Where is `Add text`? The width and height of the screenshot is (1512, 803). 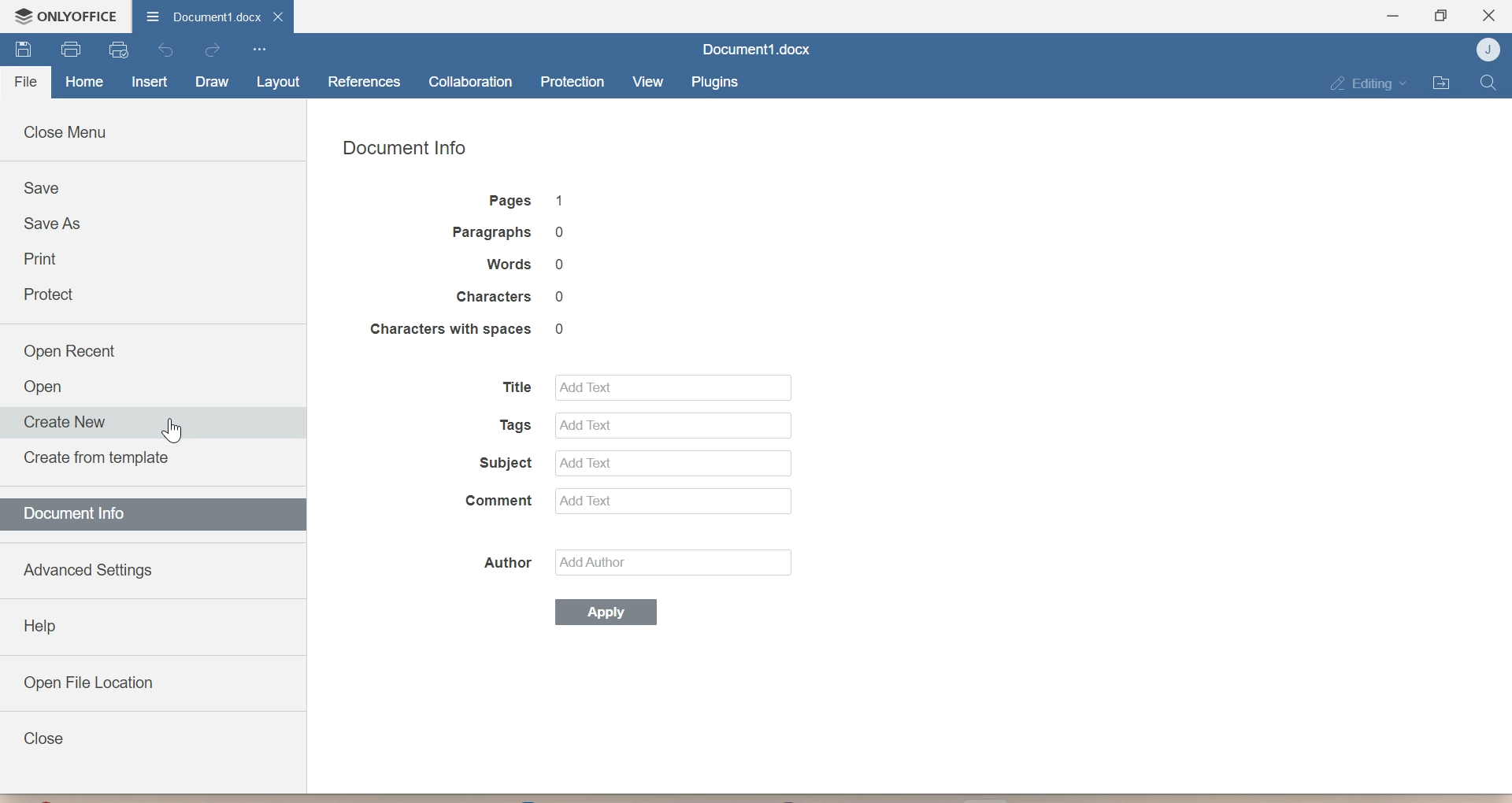 Add text is located at coordinates (672, 461).